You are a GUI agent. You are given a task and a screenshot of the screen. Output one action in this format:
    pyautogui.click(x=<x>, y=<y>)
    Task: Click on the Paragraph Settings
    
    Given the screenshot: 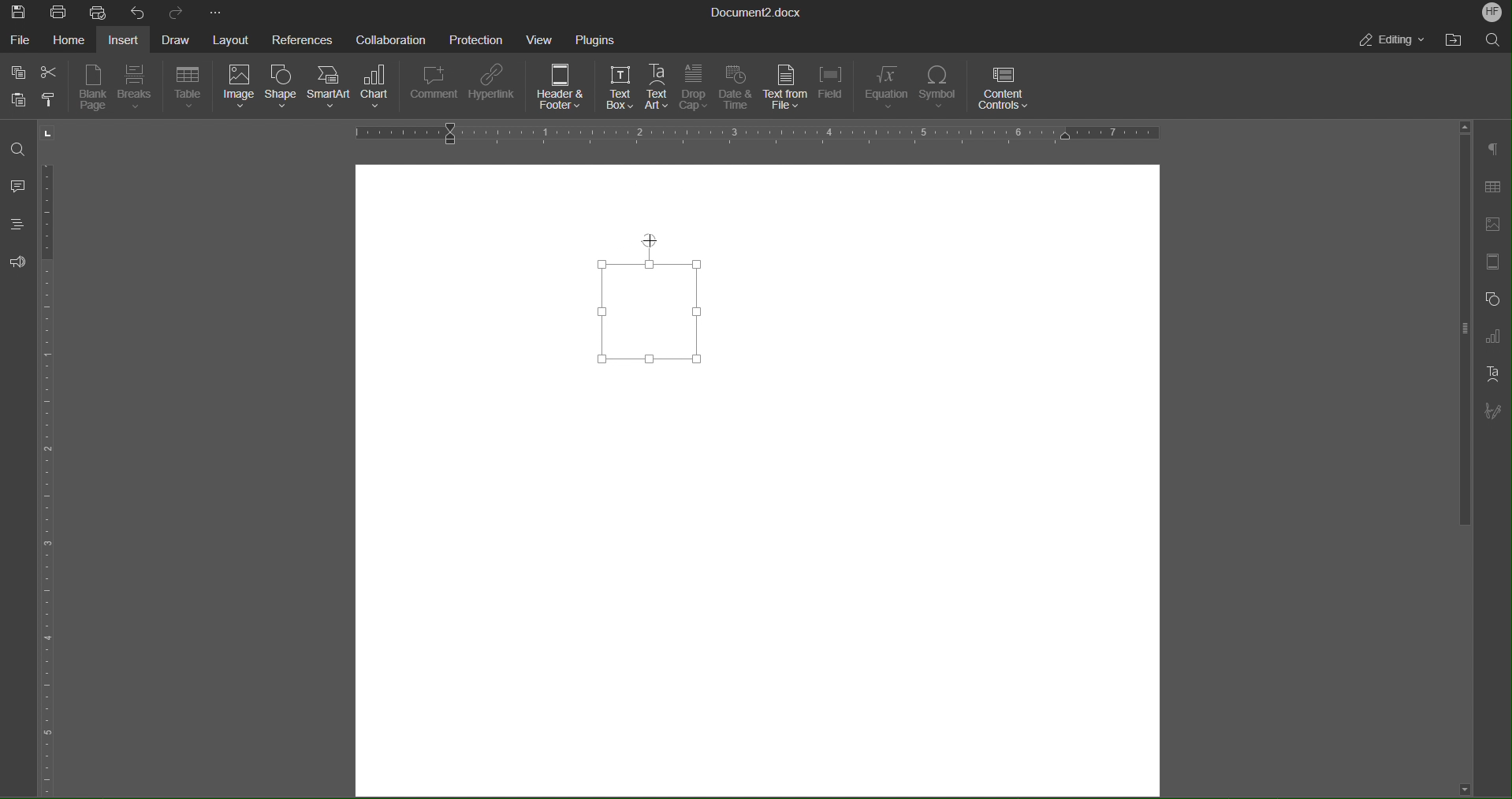 What is the action you would take?
    pyautogui.click(x=1493, y=150)
    